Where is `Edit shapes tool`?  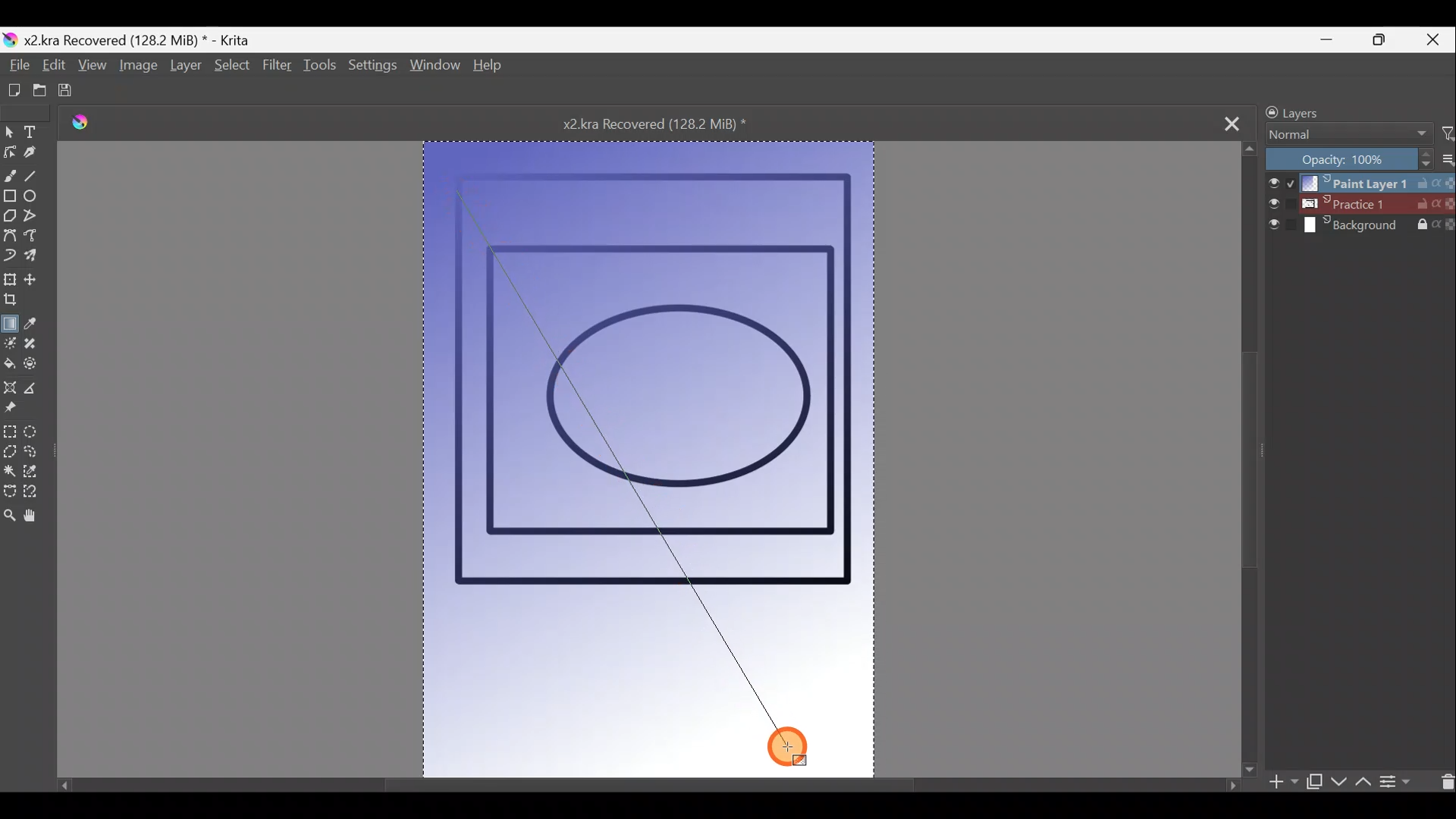 Edit shapes tool is located at coordinates (9, 154).